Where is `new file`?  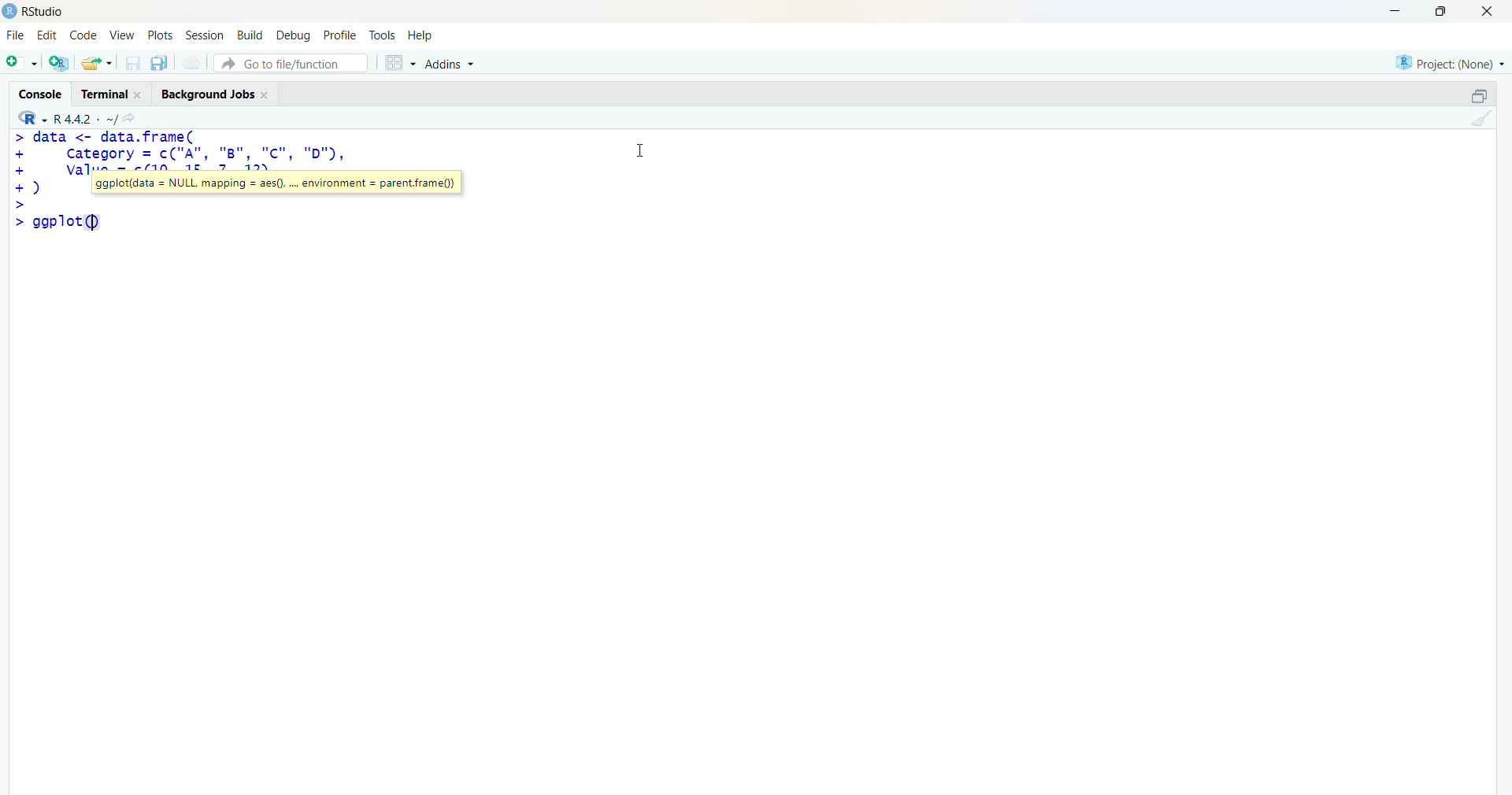
new file is located at coordinates (21, 61).